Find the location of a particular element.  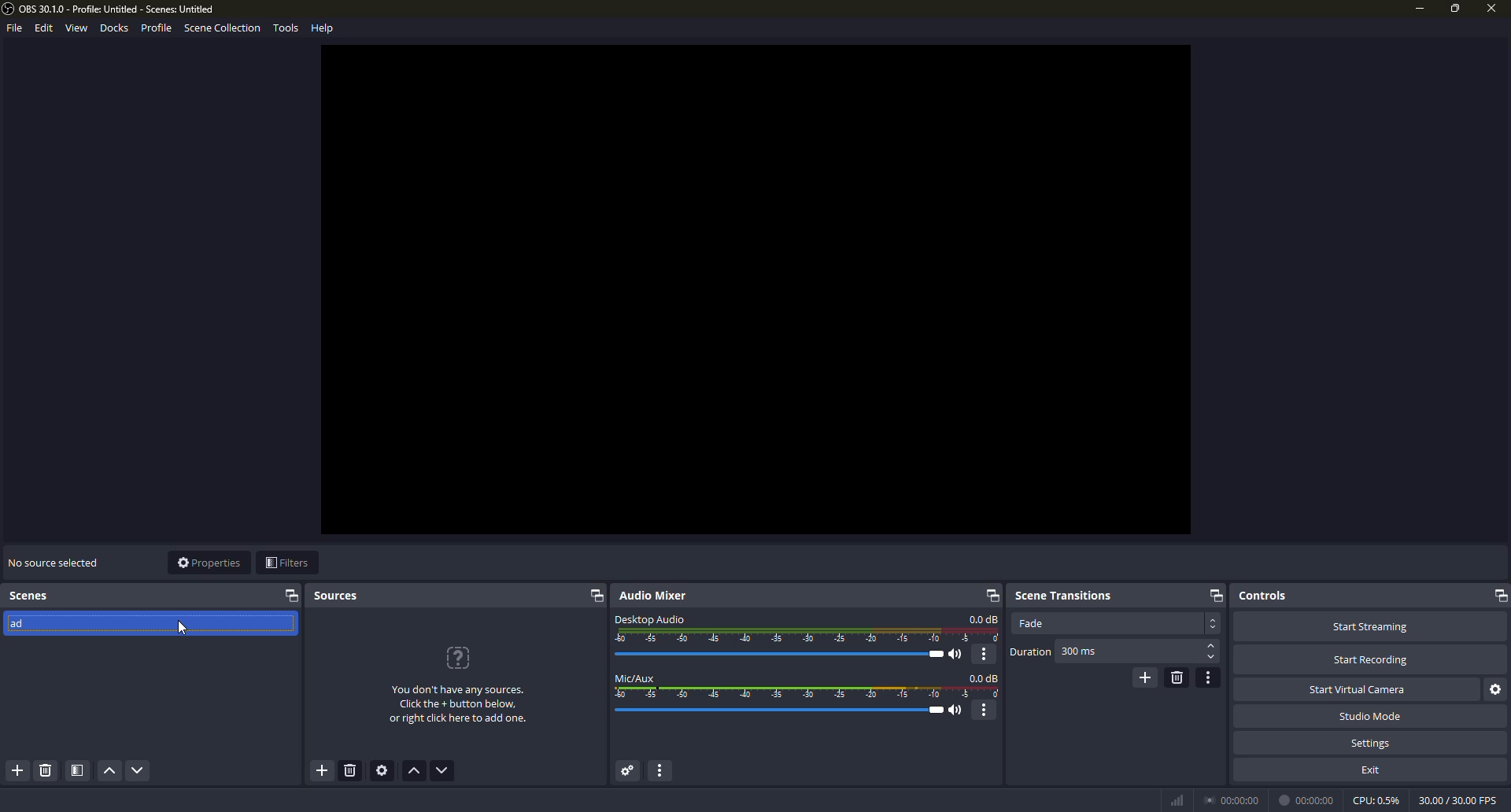

transition properties is located at coordinates (1210, 677).